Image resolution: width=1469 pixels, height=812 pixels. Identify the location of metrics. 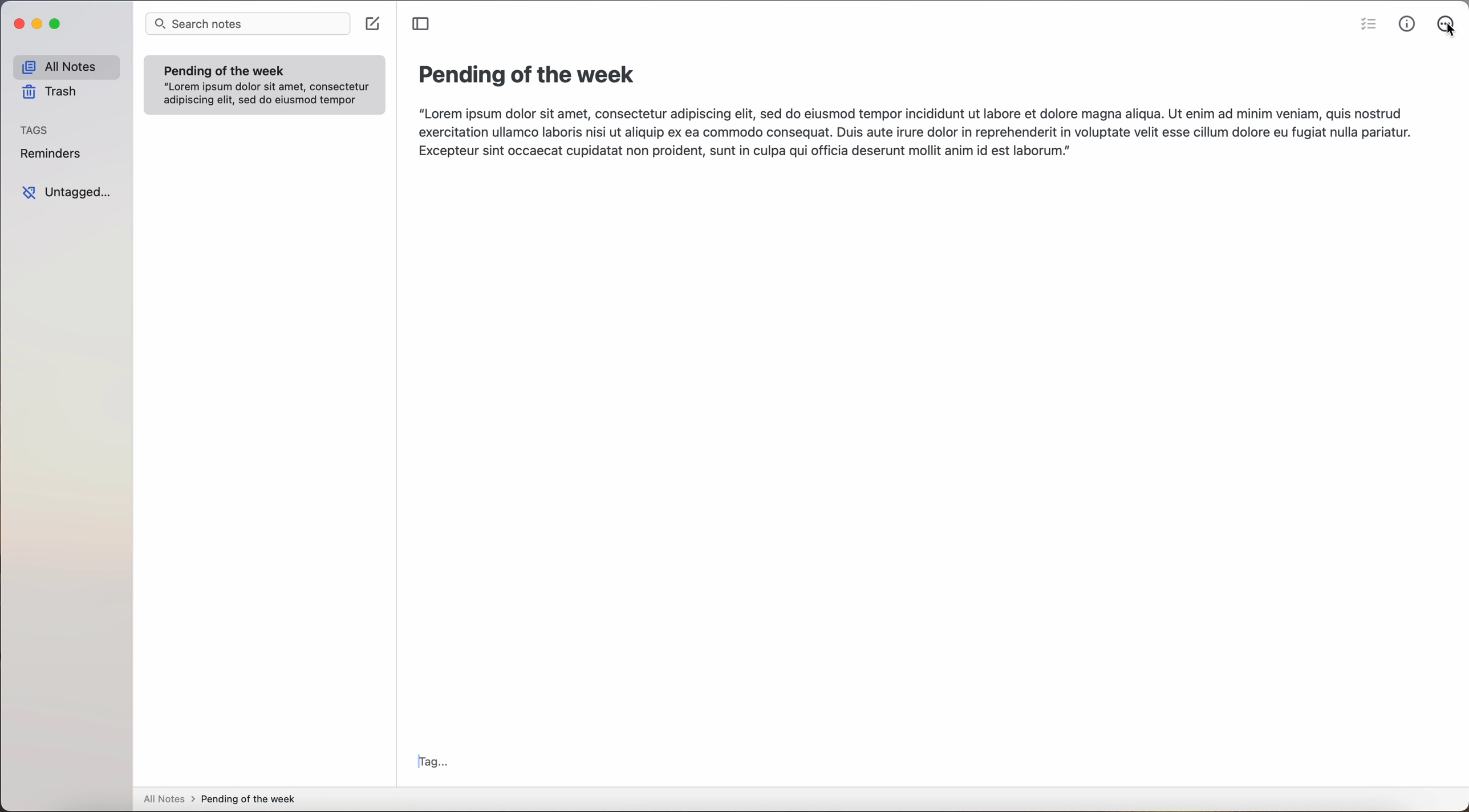
(1409, 25).